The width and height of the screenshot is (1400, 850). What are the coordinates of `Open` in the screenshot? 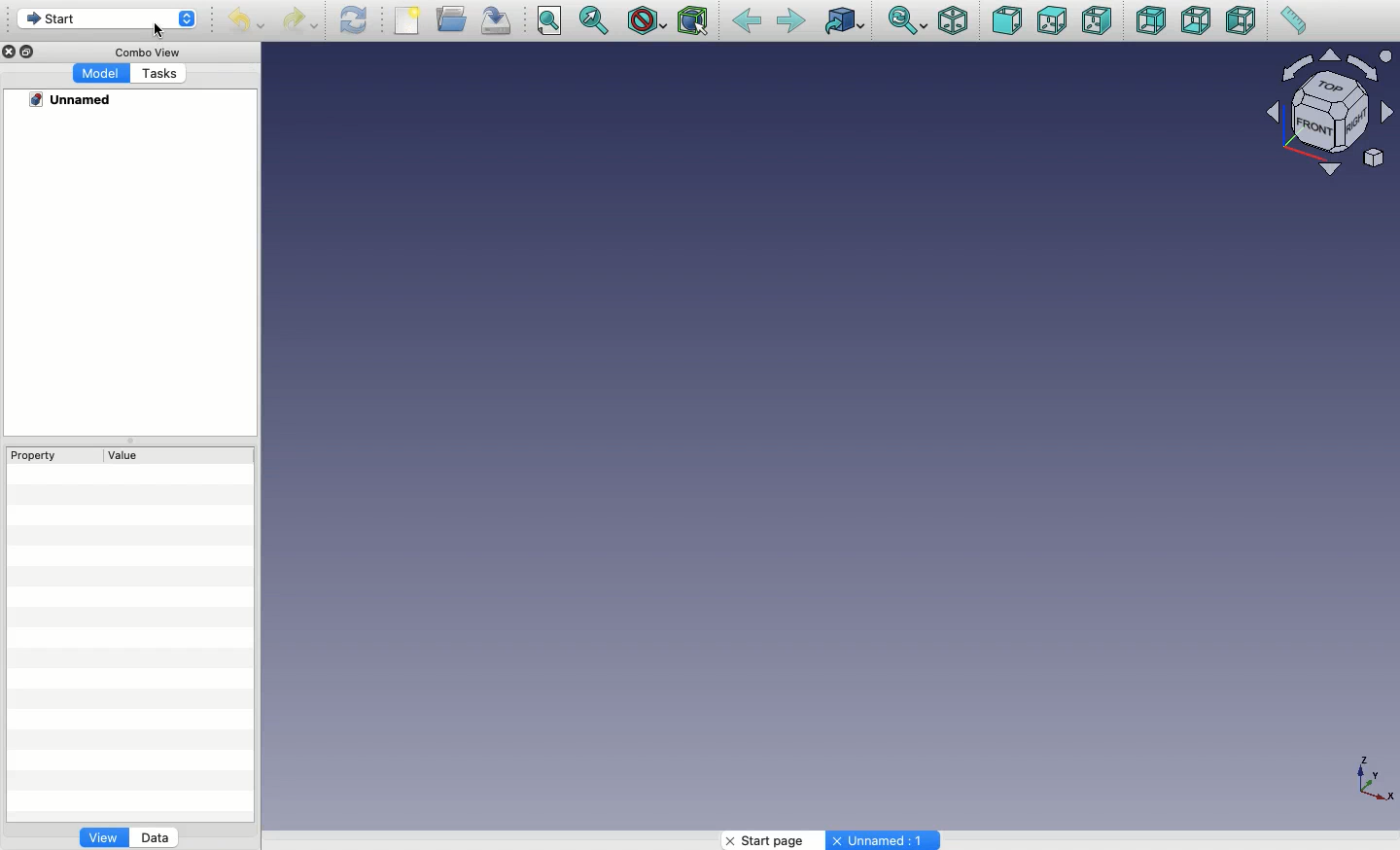 It's located at (454, 18).